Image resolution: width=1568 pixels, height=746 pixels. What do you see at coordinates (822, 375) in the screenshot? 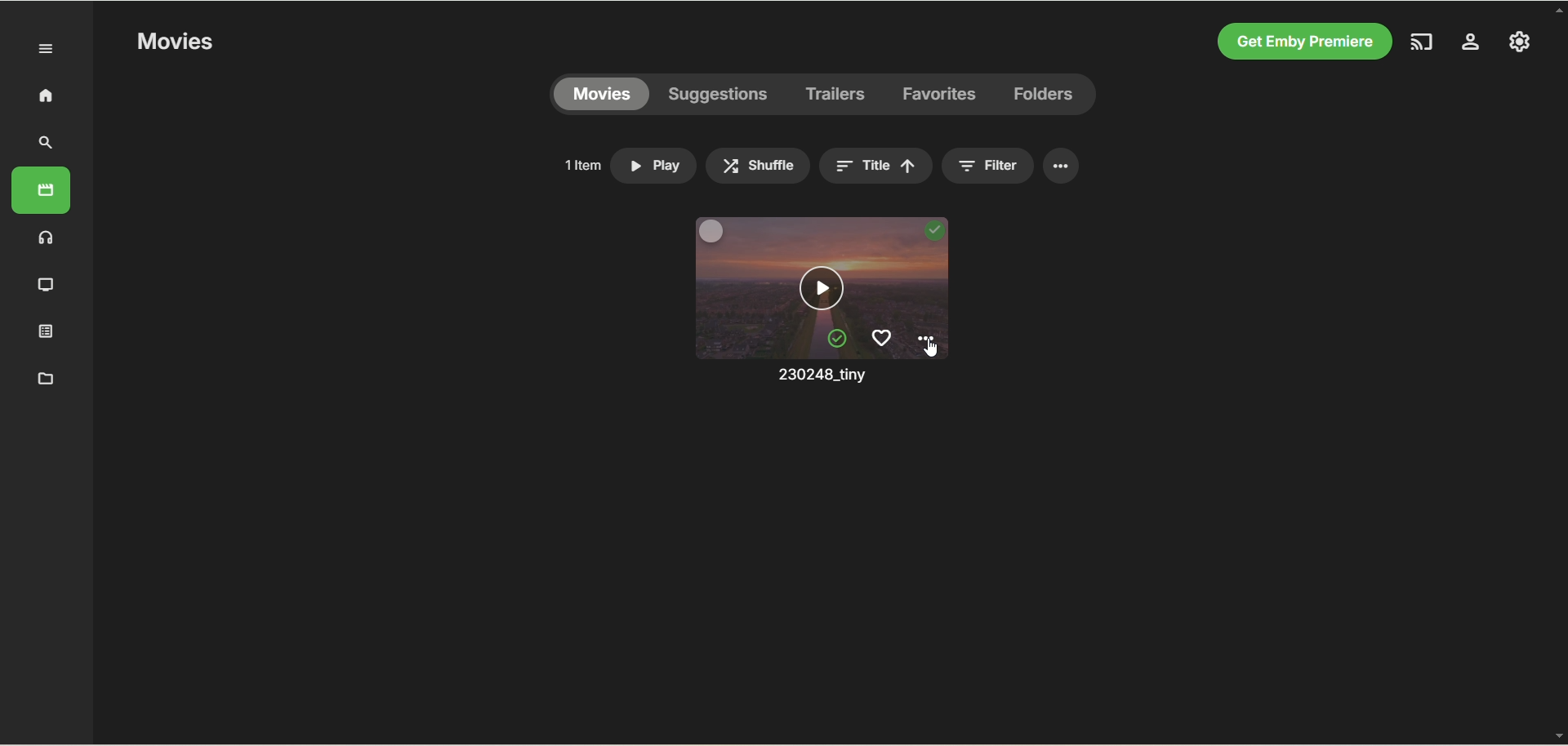
I see `movie title` at bounding box center [822, 375].